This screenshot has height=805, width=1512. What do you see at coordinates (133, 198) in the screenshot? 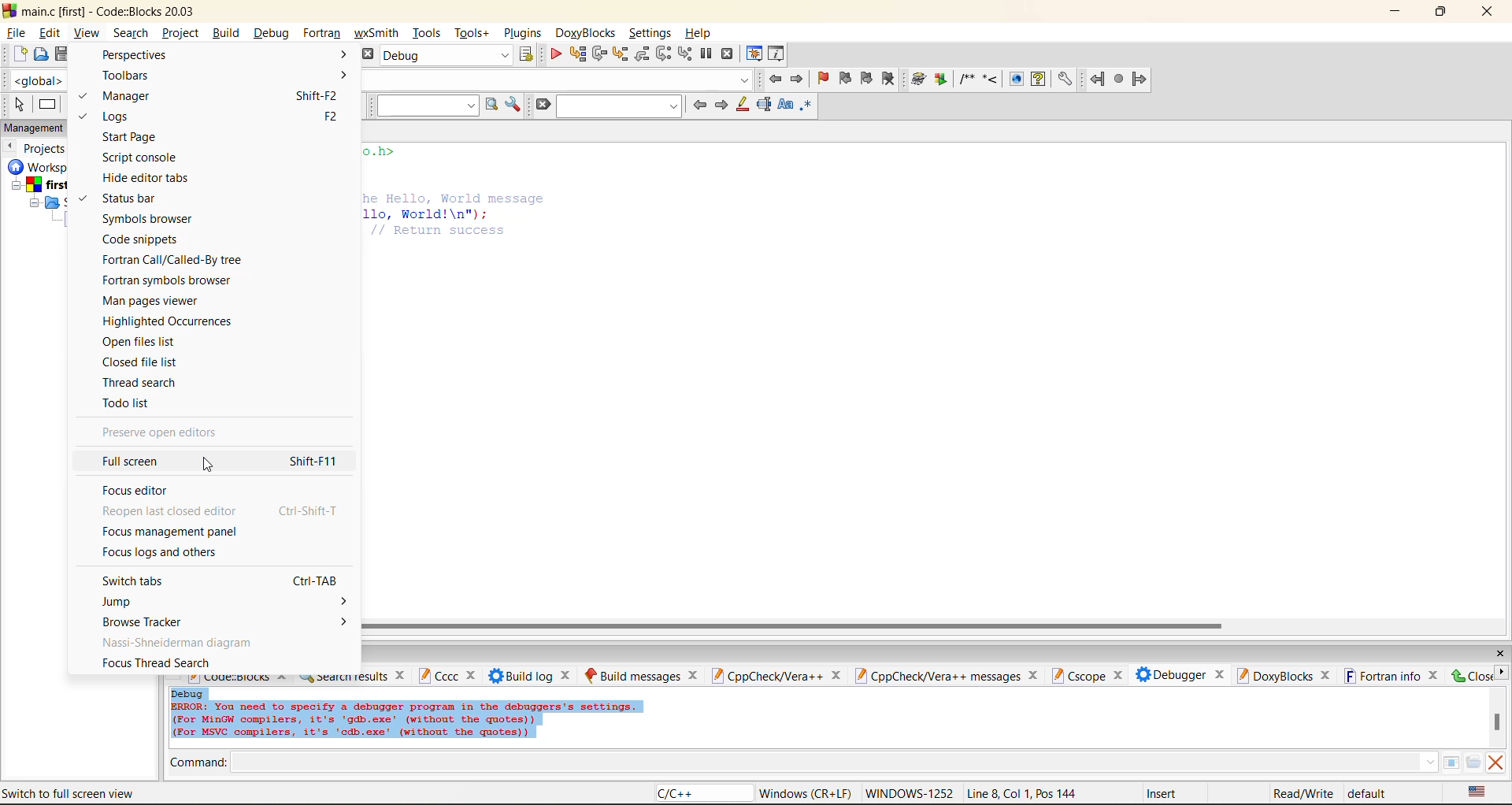
I see `status tab` at bounding box center [133, 198].